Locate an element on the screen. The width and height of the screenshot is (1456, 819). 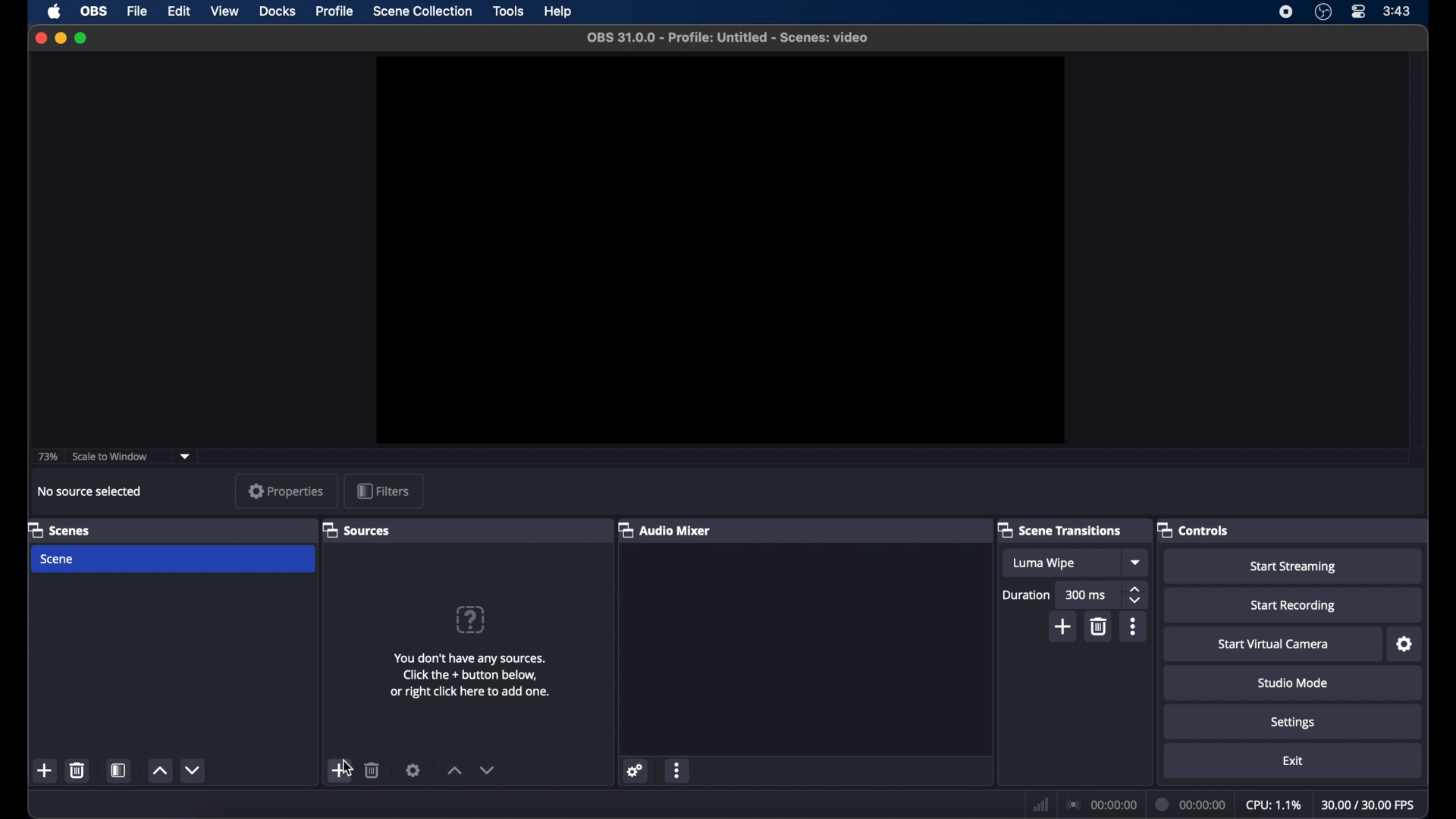
add is located at coordinates (45, 770).